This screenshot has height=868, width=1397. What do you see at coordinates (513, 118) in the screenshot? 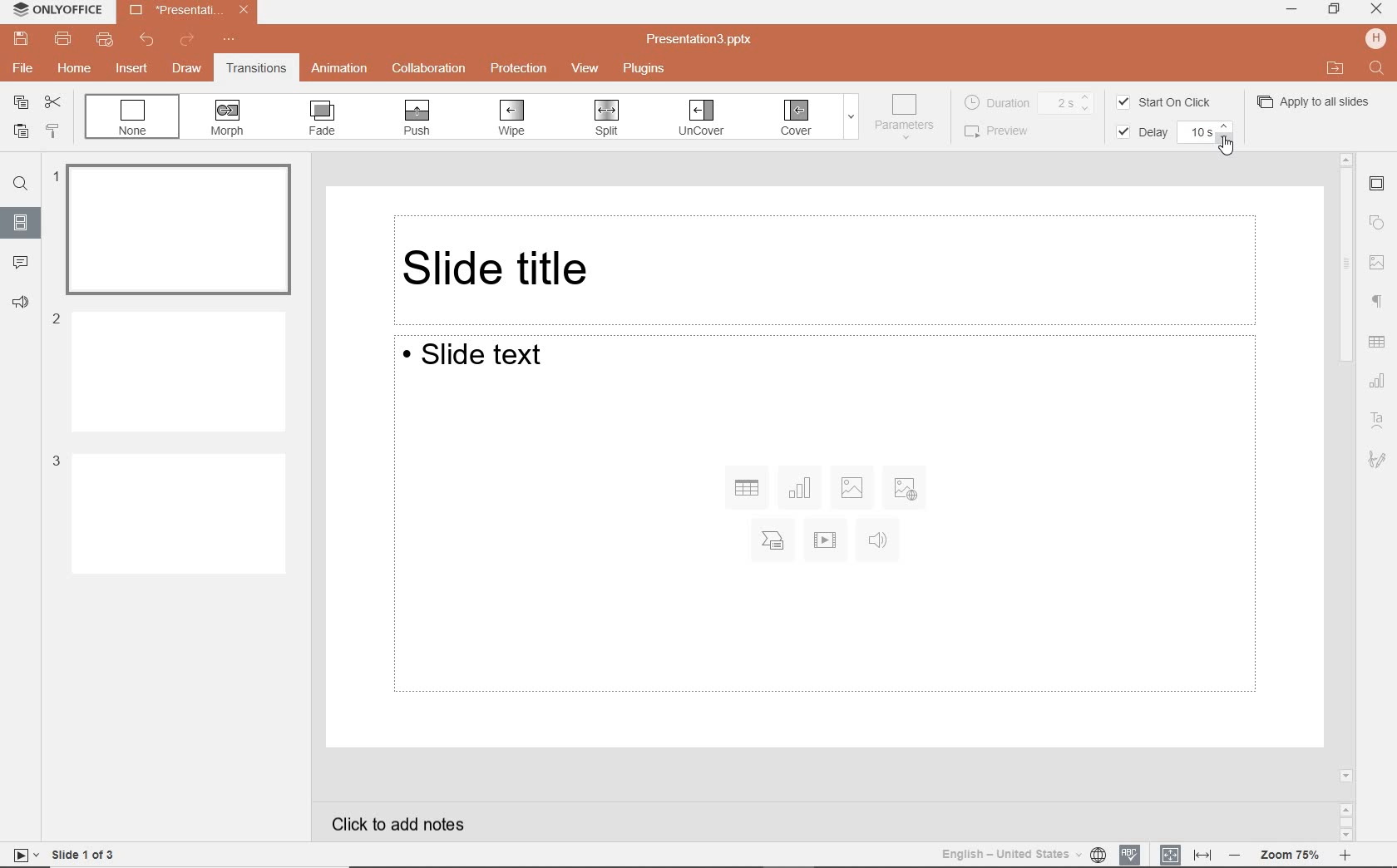
I see `WIPE` at bounding box center [513, 118].